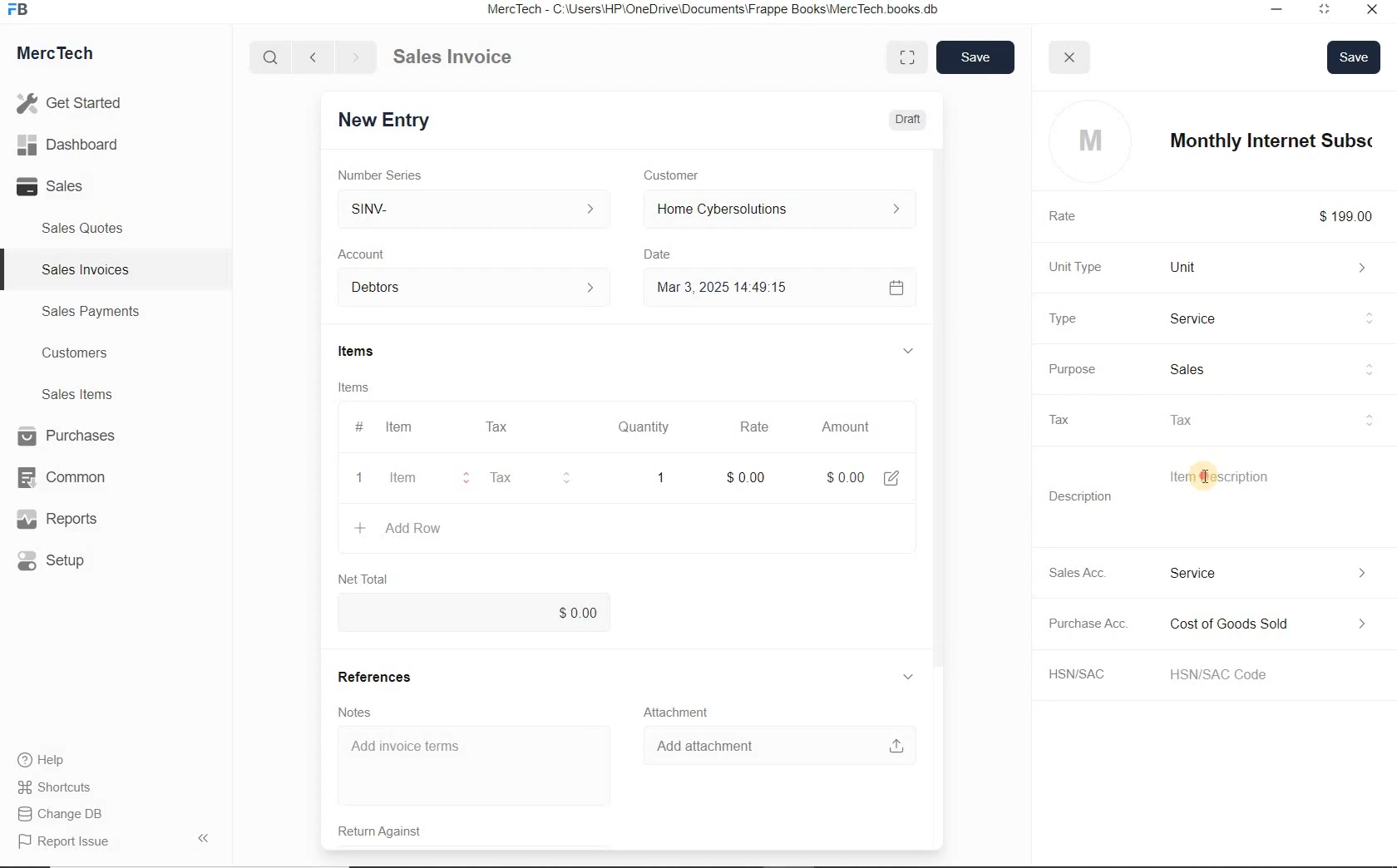 This screenshot has height=868, width=1397. Describe the element at coordinates (841, 476) in the screenshot. I see `Amount: $0.00` at that location.